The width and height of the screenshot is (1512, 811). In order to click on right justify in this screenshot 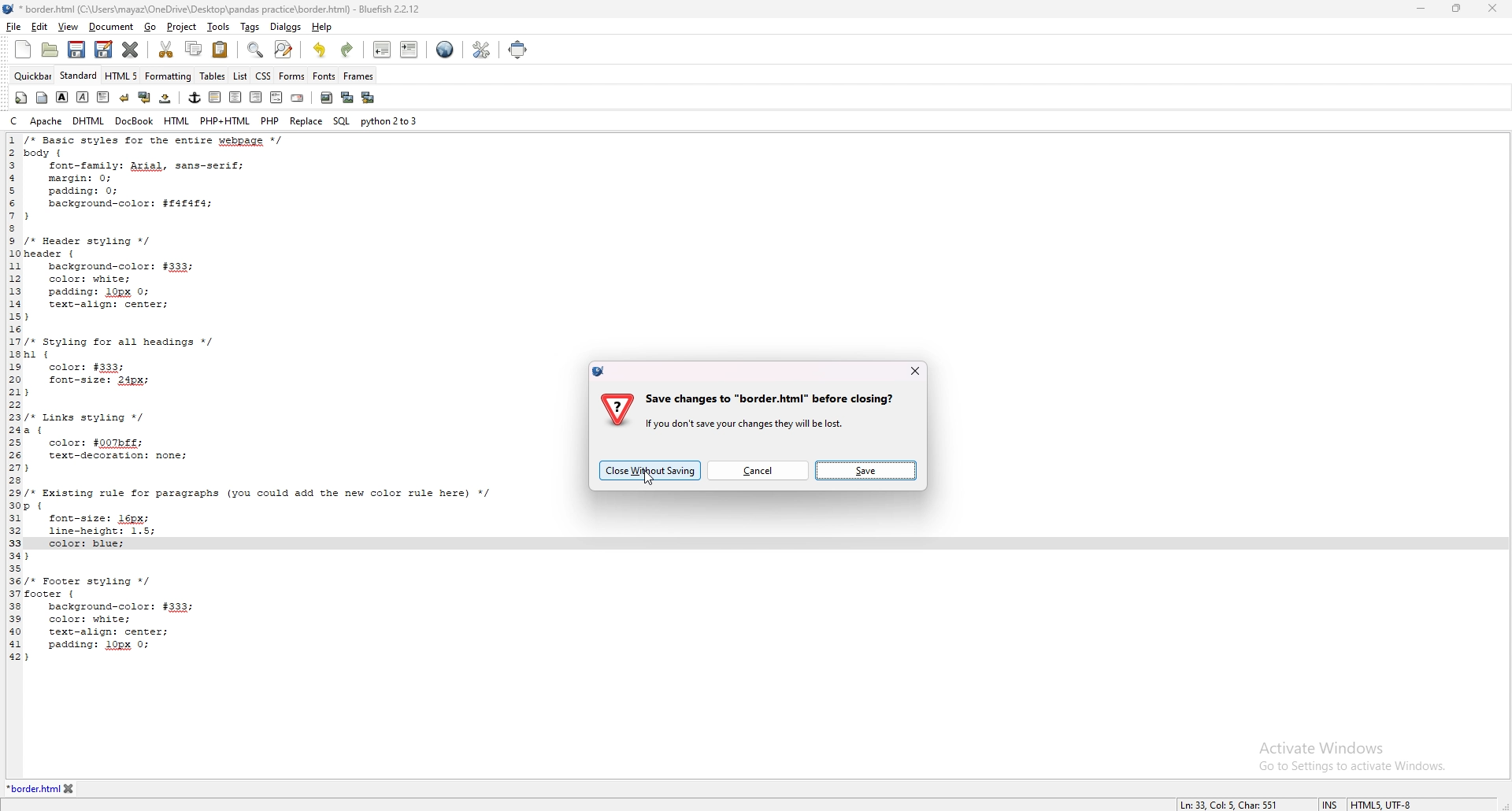, I will do `click(257, 98)`.